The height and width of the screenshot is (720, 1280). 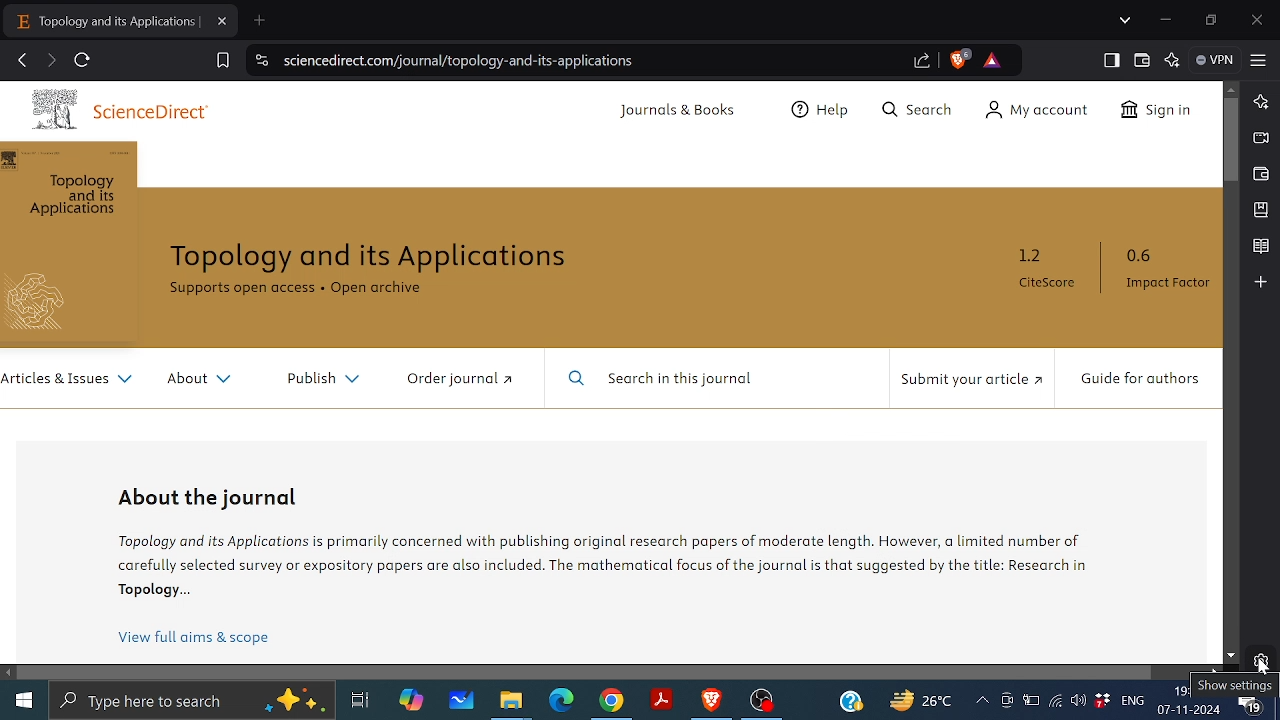 What do you see at coordinates (371, 256) in the screenshot?
I see `Topology and its Applications` at bounding box center [371, 256].